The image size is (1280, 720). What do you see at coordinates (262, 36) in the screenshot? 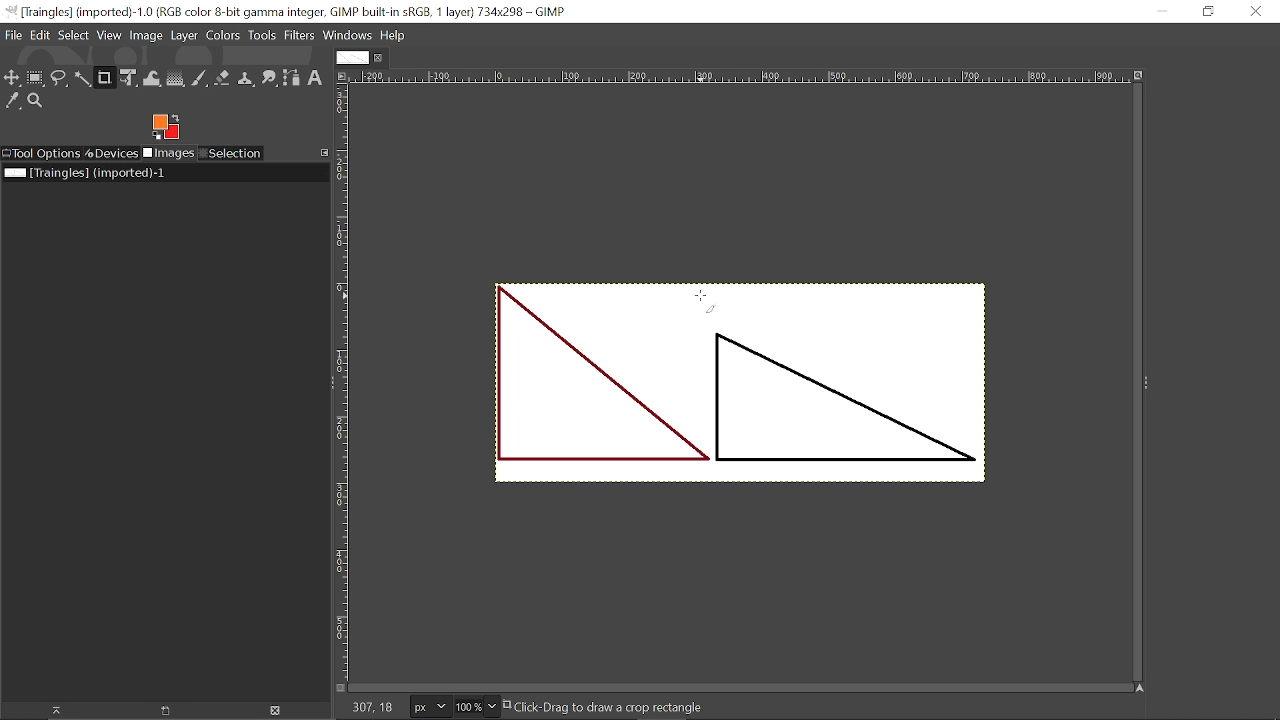
I see `Tools` at bounding box center [262, 36].